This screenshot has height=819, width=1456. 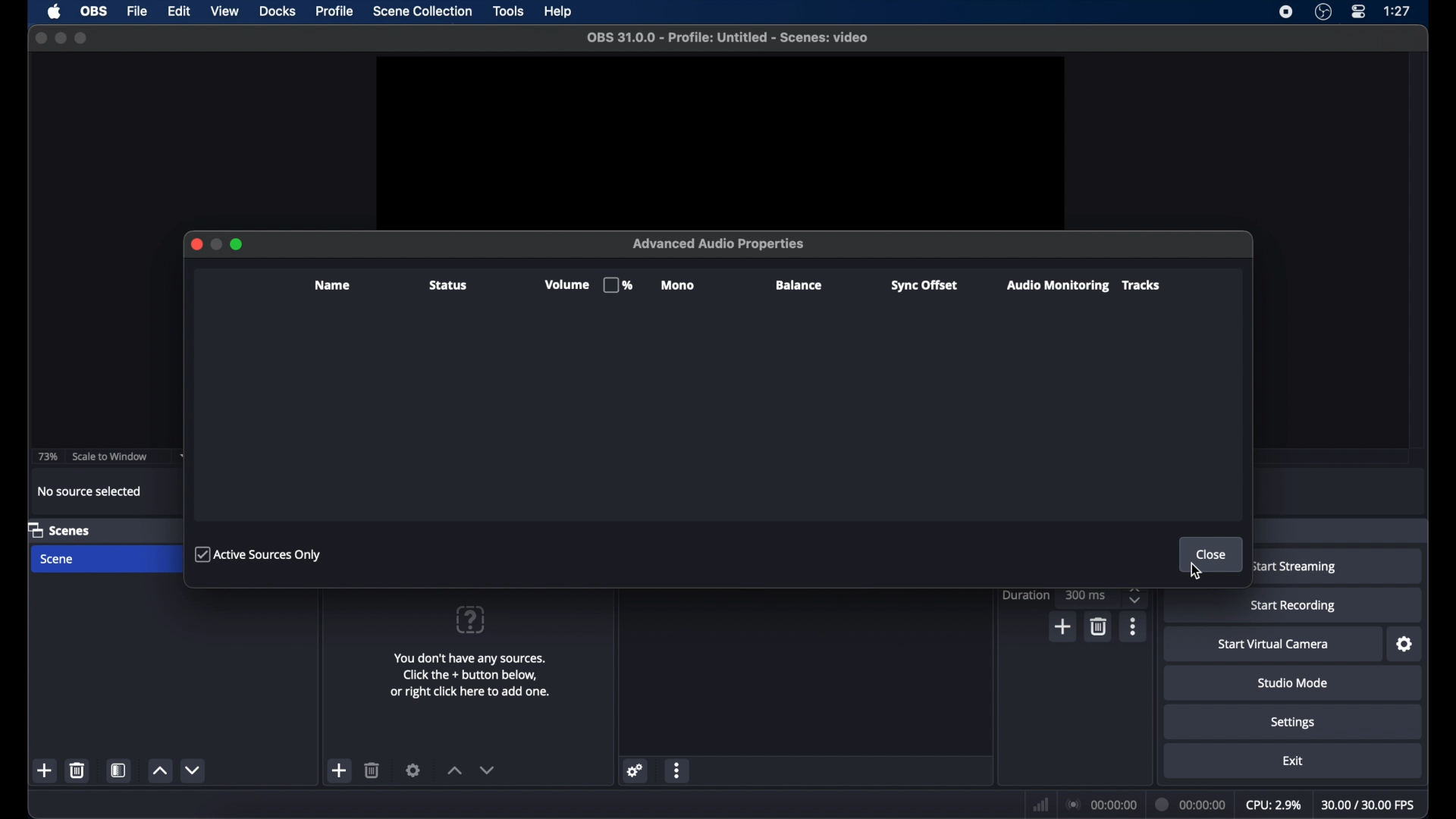 I want to click on view, so click(x=226, y=11).